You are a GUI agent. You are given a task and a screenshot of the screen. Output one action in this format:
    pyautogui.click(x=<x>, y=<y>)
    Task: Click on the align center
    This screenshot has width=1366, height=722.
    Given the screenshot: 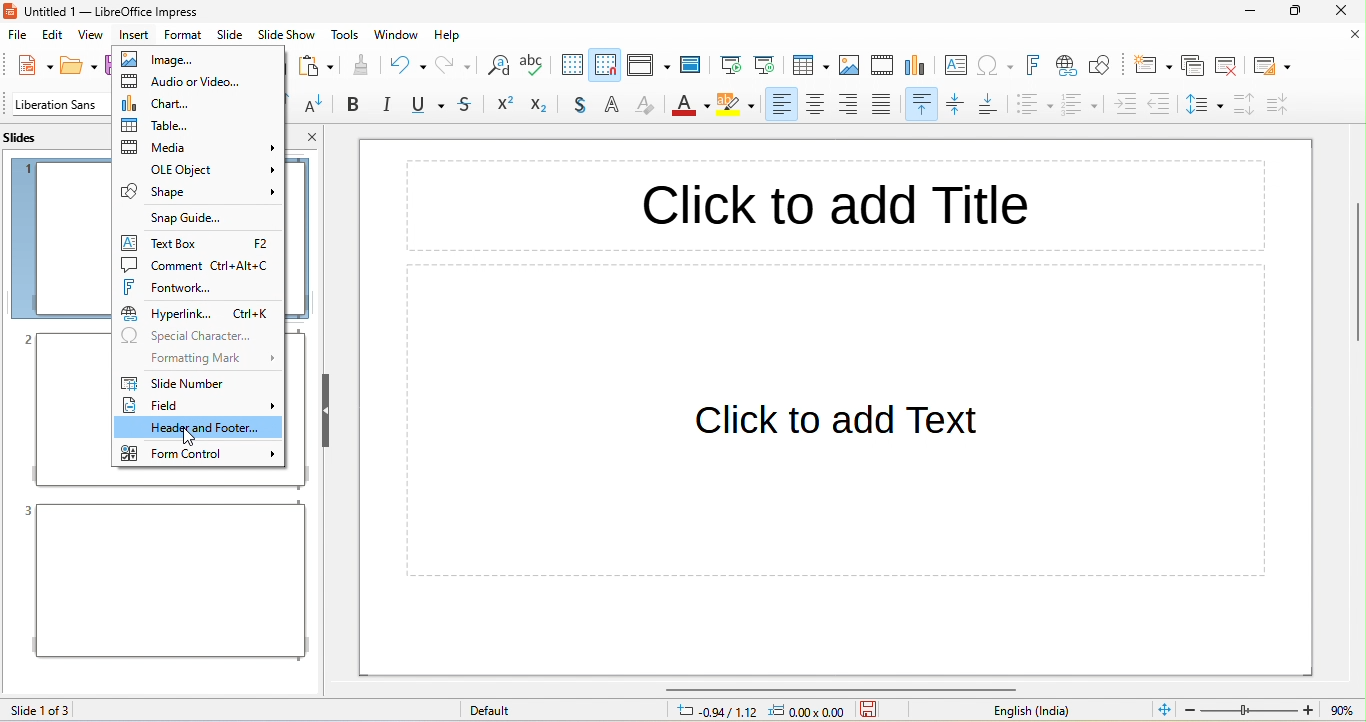 What is the action you would take?
    pyautogui.click(x=816, y=105)
    